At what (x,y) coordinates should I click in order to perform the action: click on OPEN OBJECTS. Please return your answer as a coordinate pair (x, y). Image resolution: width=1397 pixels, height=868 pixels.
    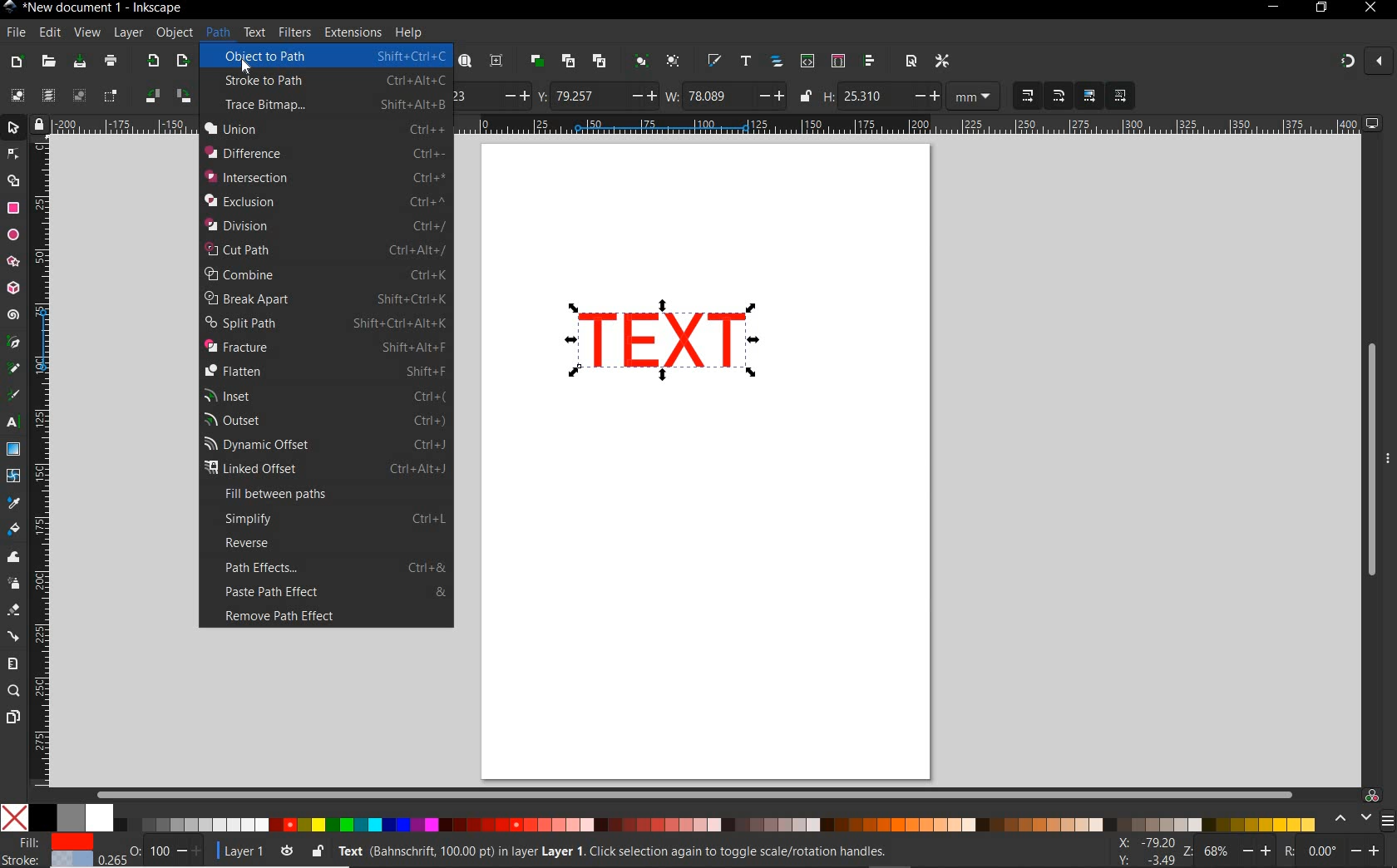
    Looking at the image, I should click on (776, 62).